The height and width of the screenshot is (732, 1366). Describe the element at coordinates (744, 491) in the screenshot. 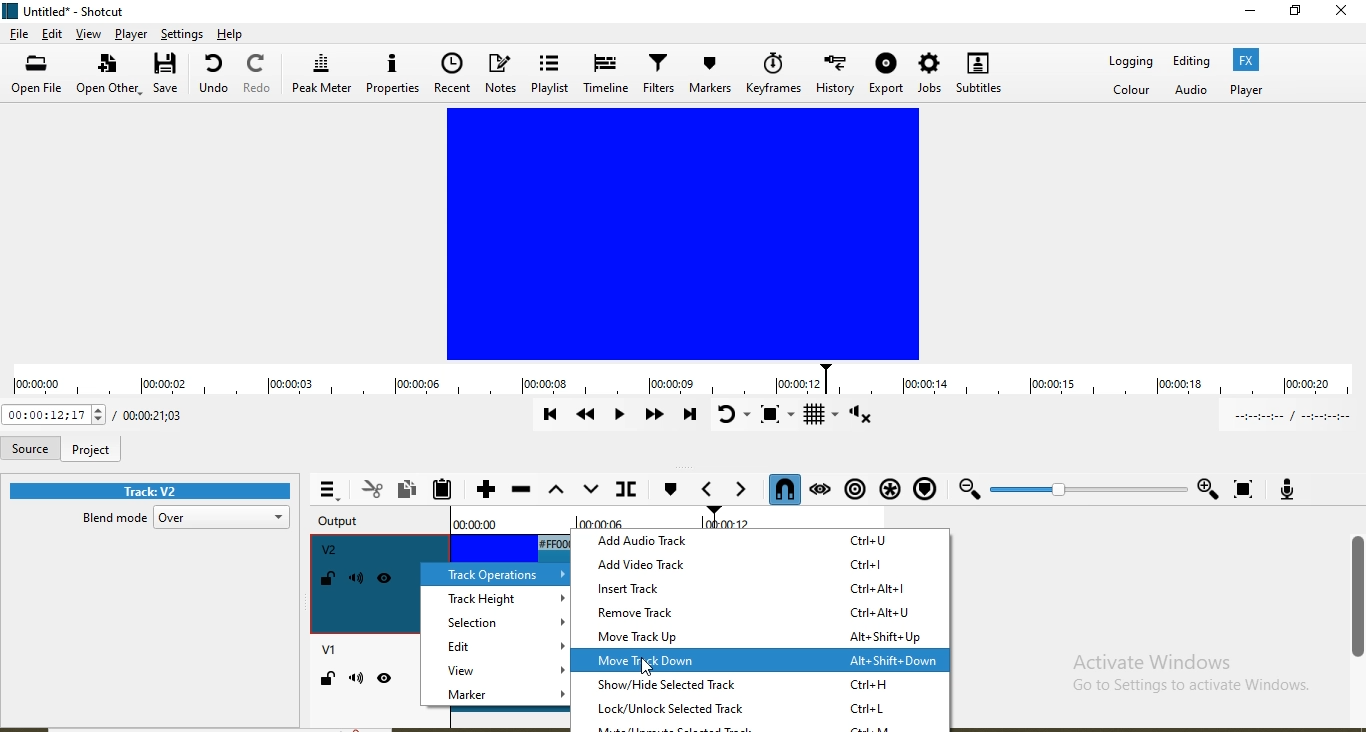

I see `Next marker` at that location.